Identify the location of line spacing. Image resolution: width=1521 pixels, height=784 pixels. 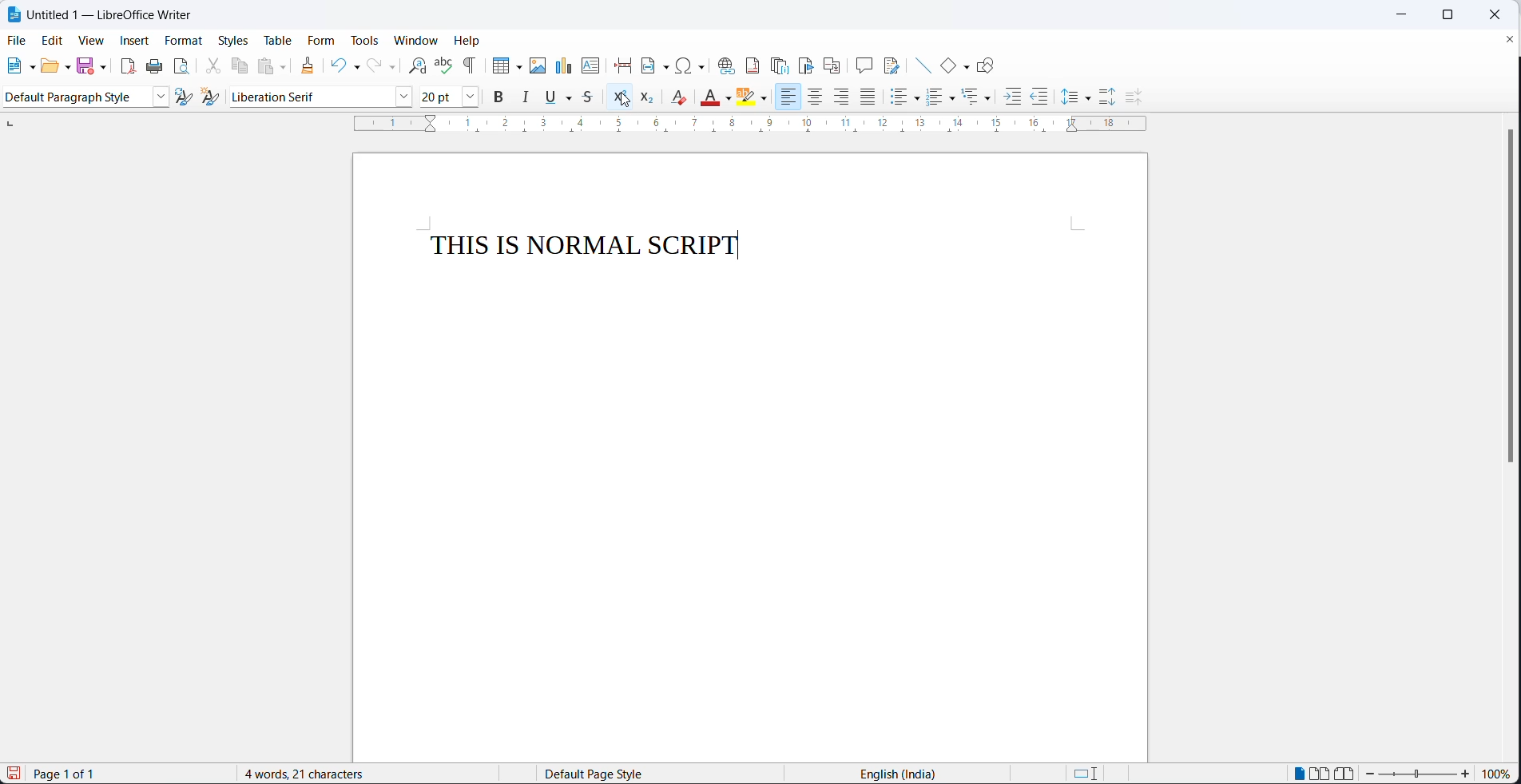
(1068, 97).